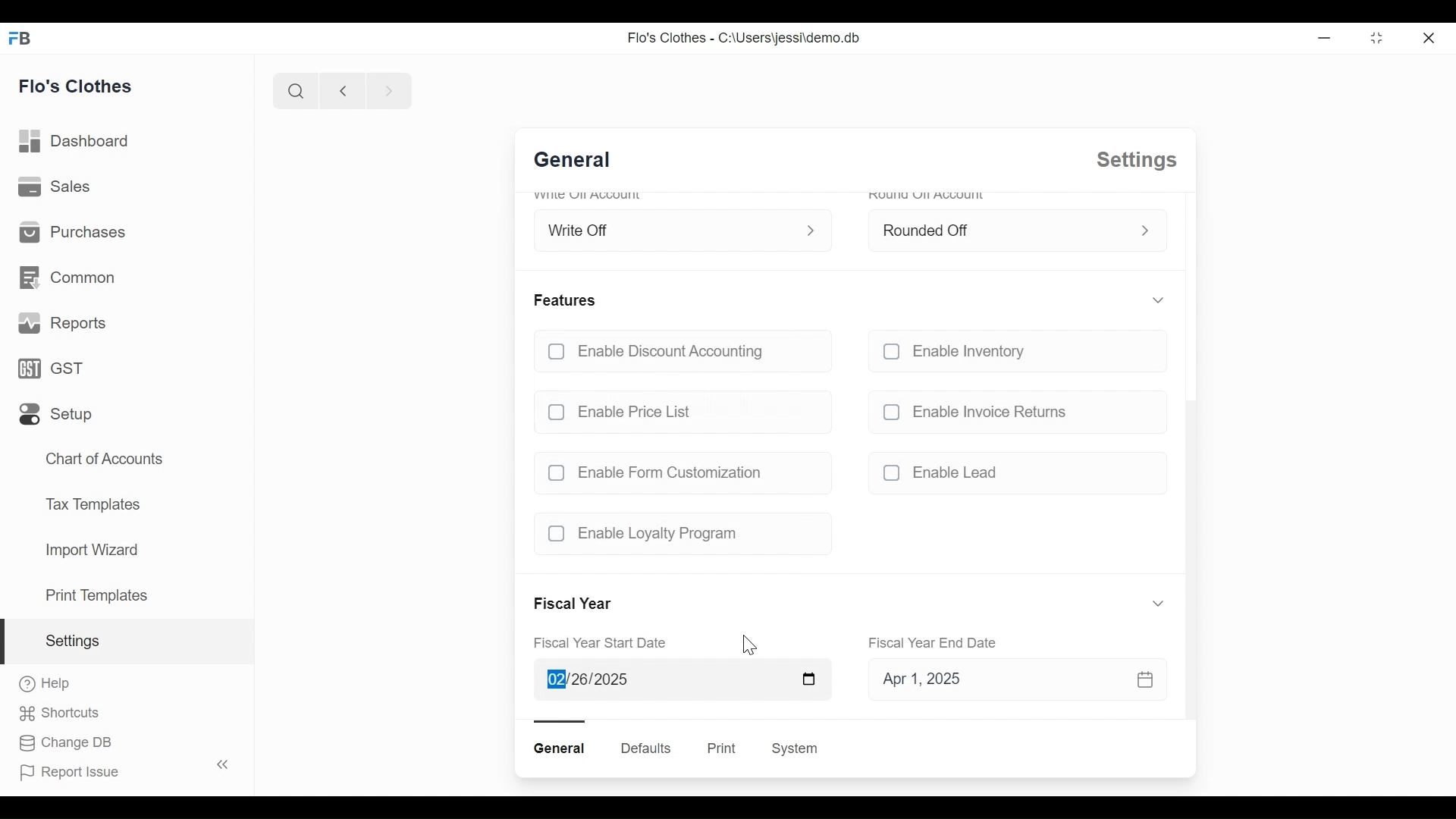 This screenshot has height=819, width=1456. I want to click on Print, so click(720, 748).